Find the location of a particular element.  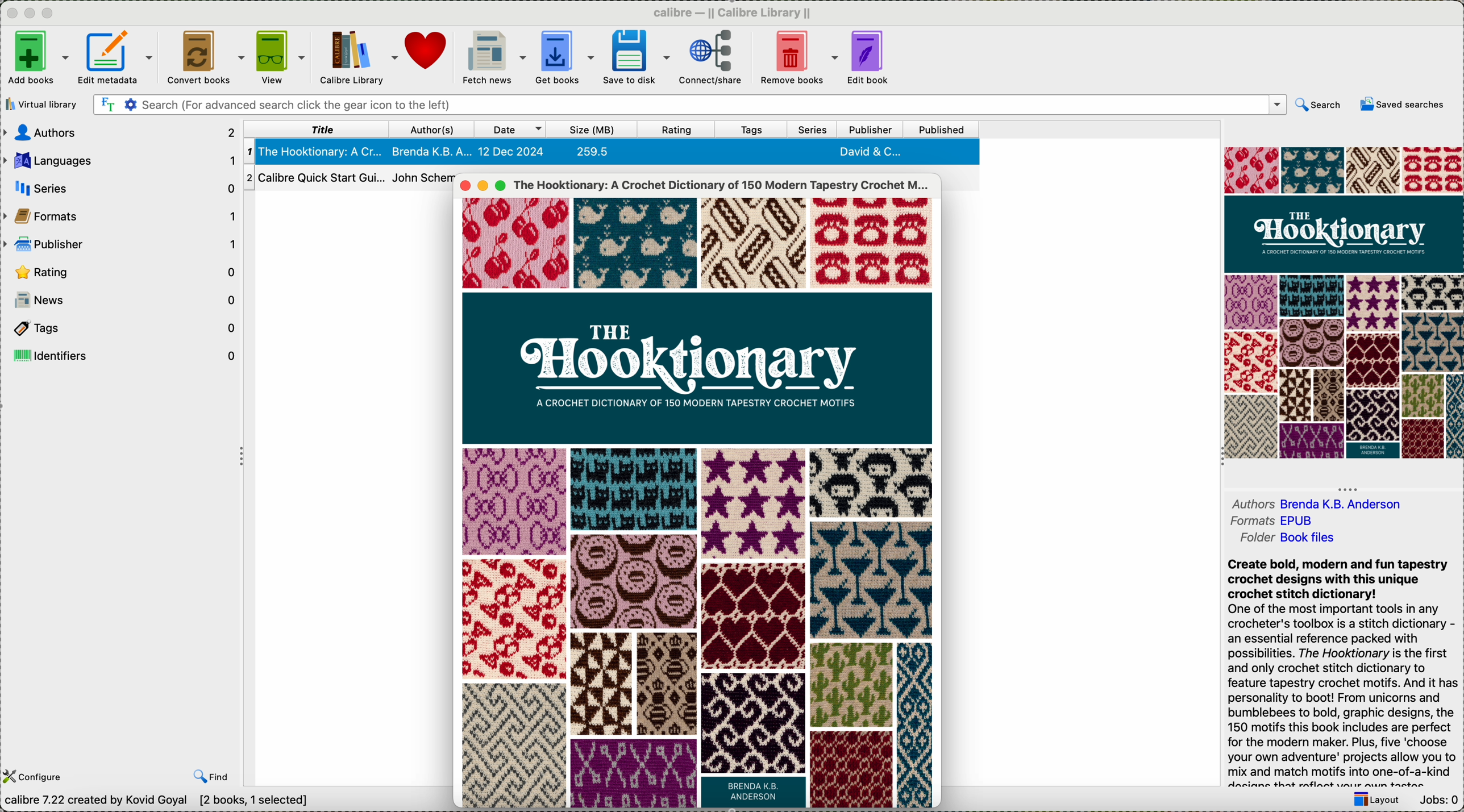

authors is located at coordinates (1317, 499).